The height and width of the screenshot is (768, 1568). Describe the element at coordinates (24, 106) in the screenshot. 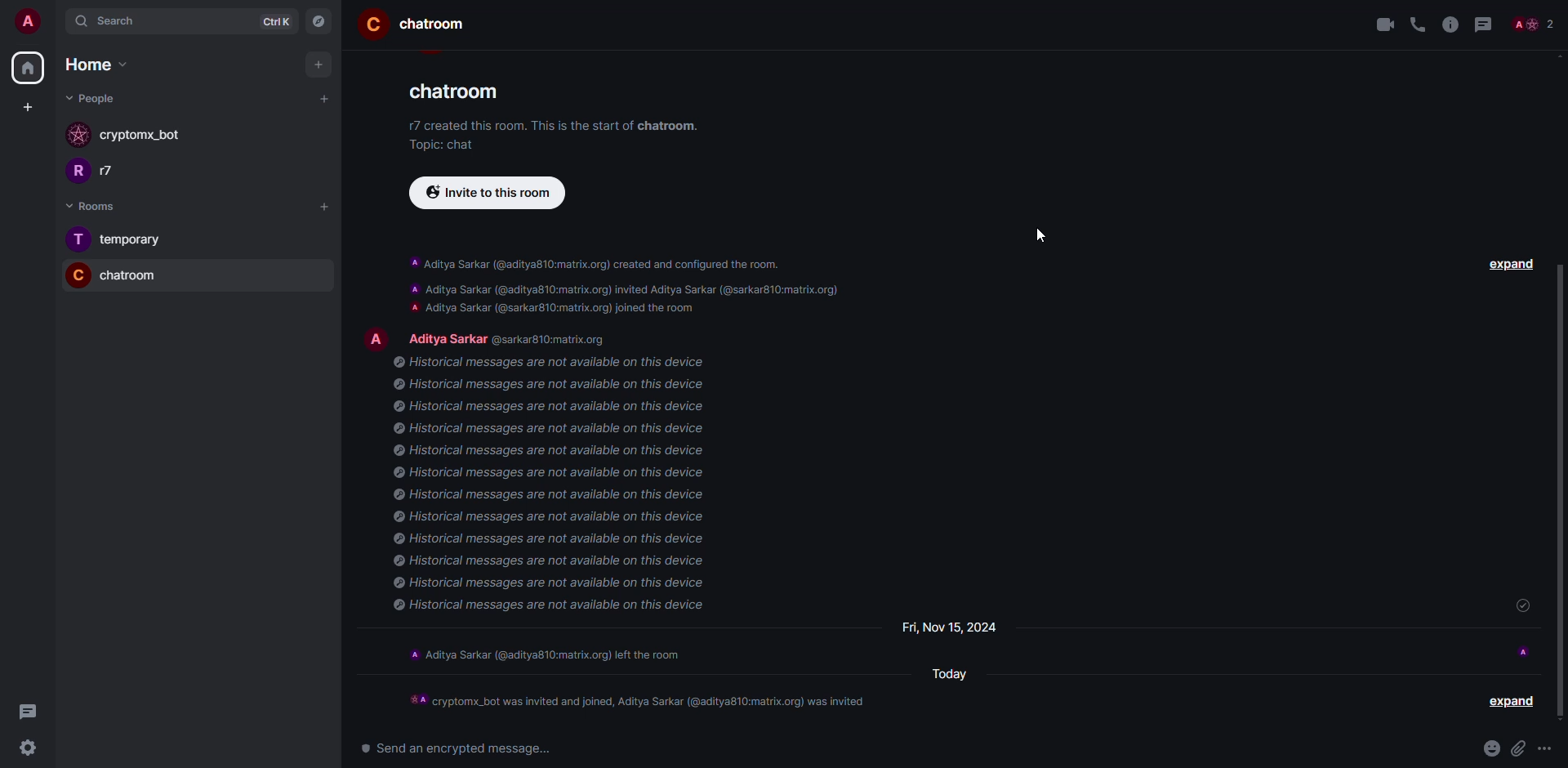

I see `create space` at that location.